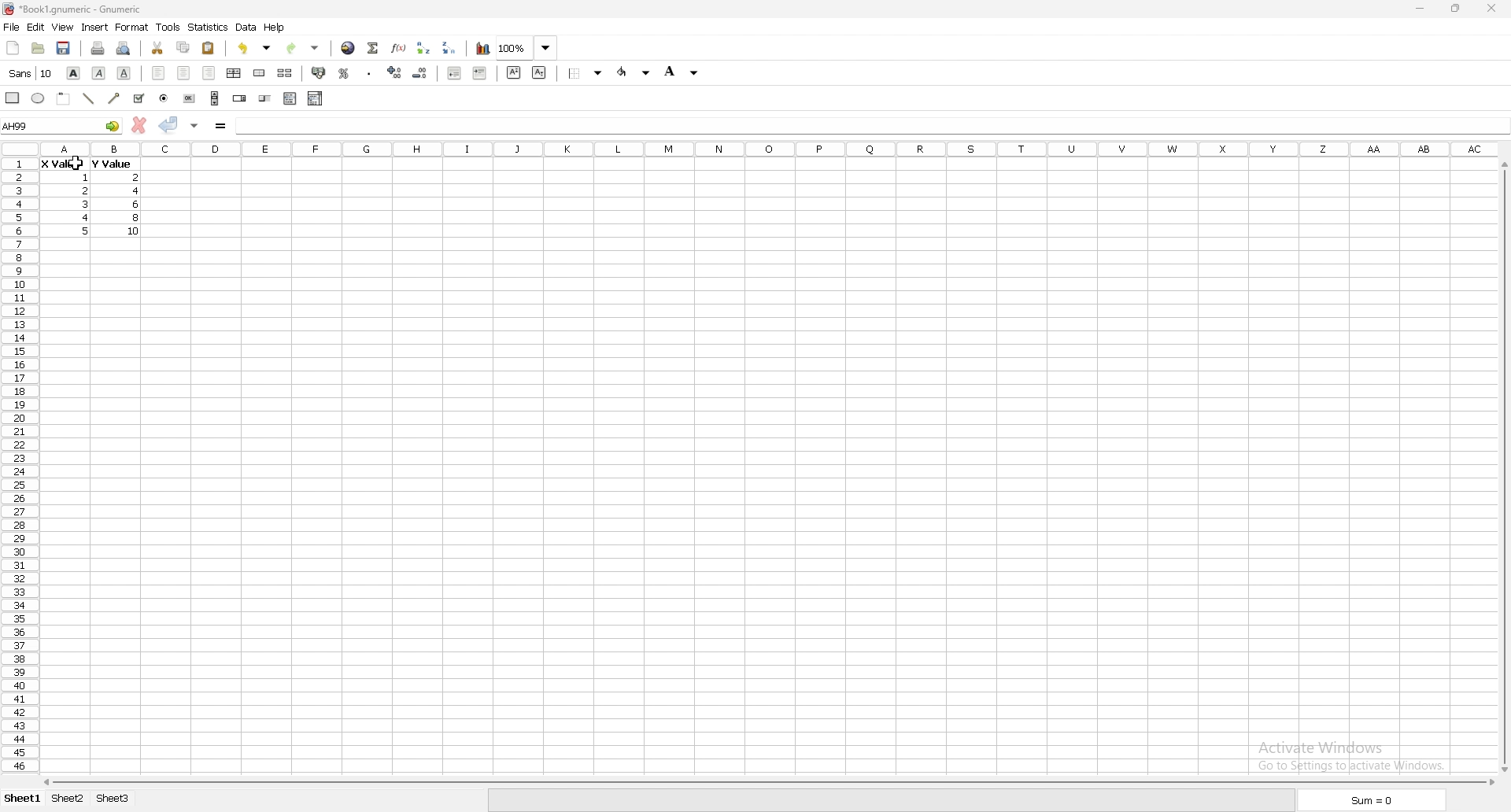 The width and height of the screenshot is (1511, 812). I want to click on value, so click(137, 218).